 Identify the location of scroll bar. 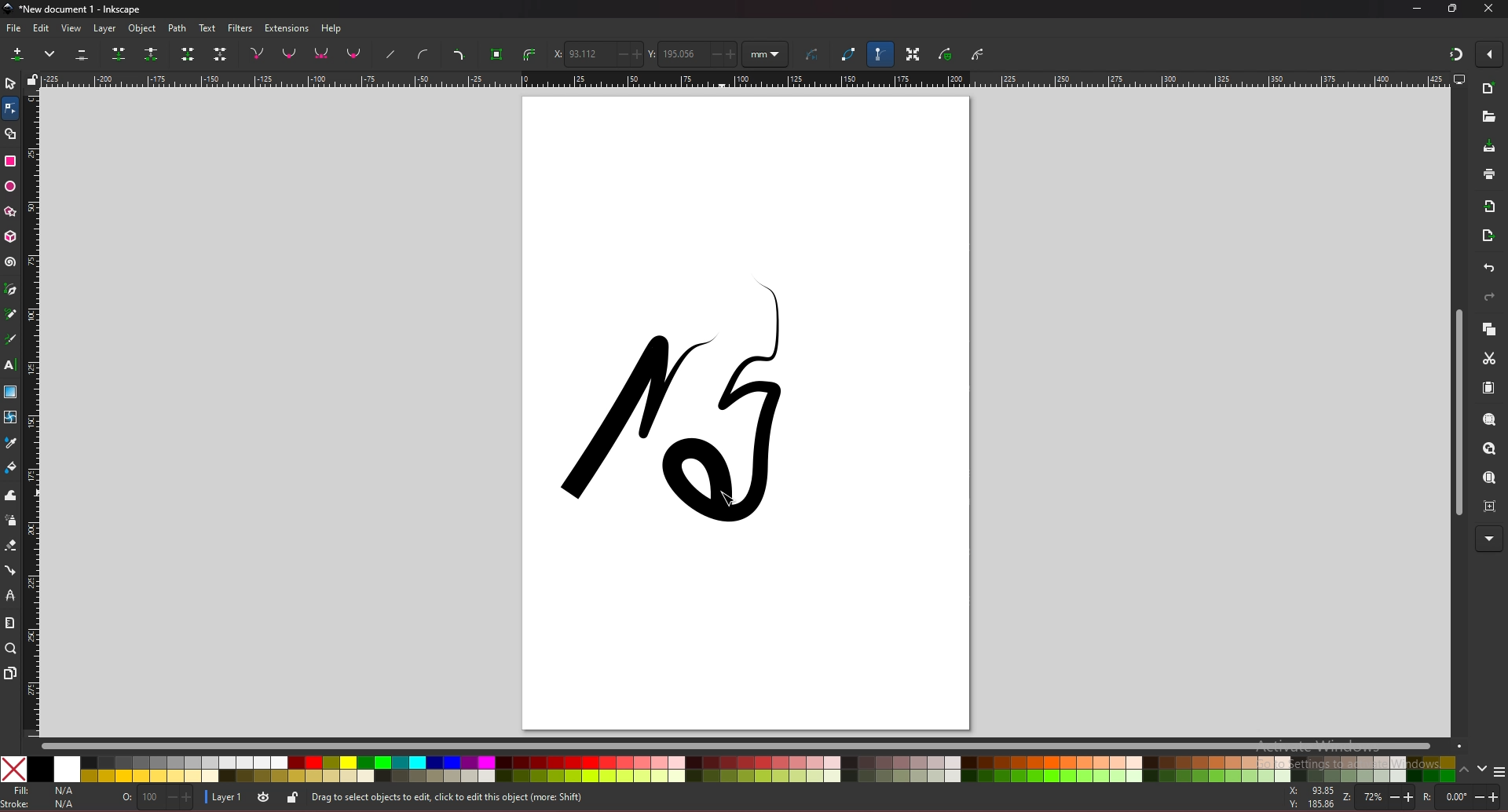
(1456, 411).